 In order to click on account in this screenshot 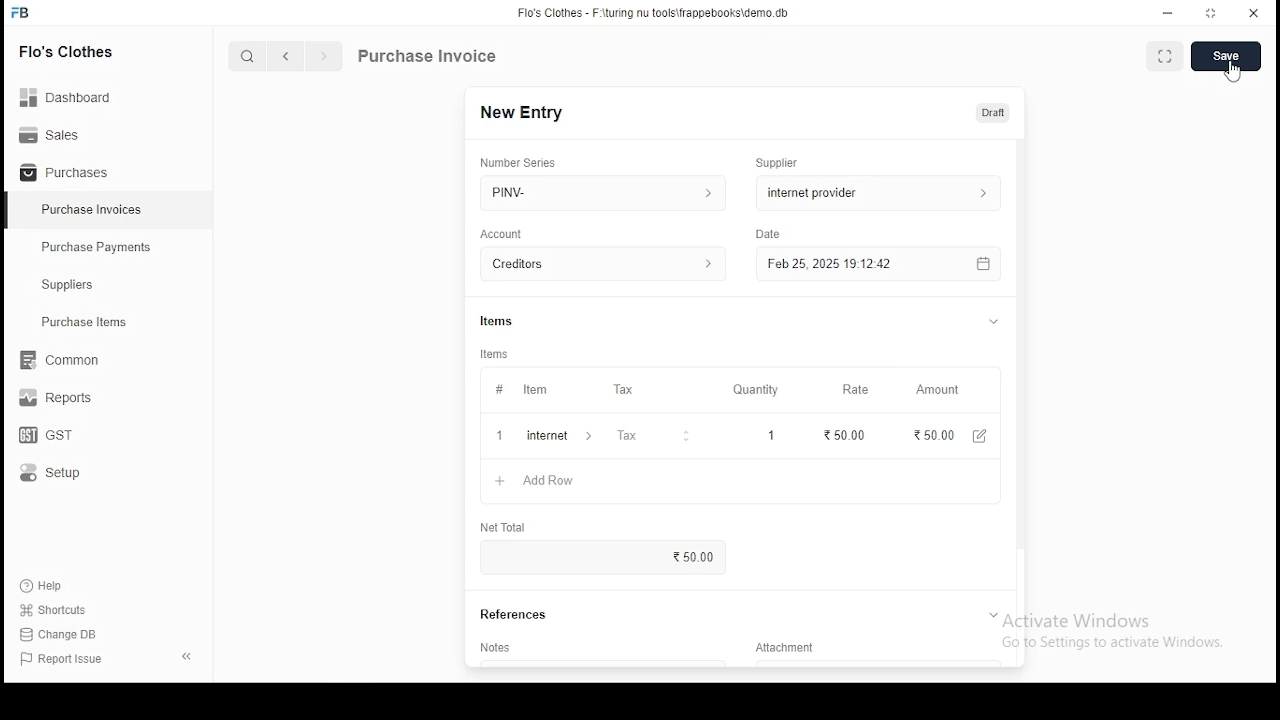, I will do `click(502, 234)`.